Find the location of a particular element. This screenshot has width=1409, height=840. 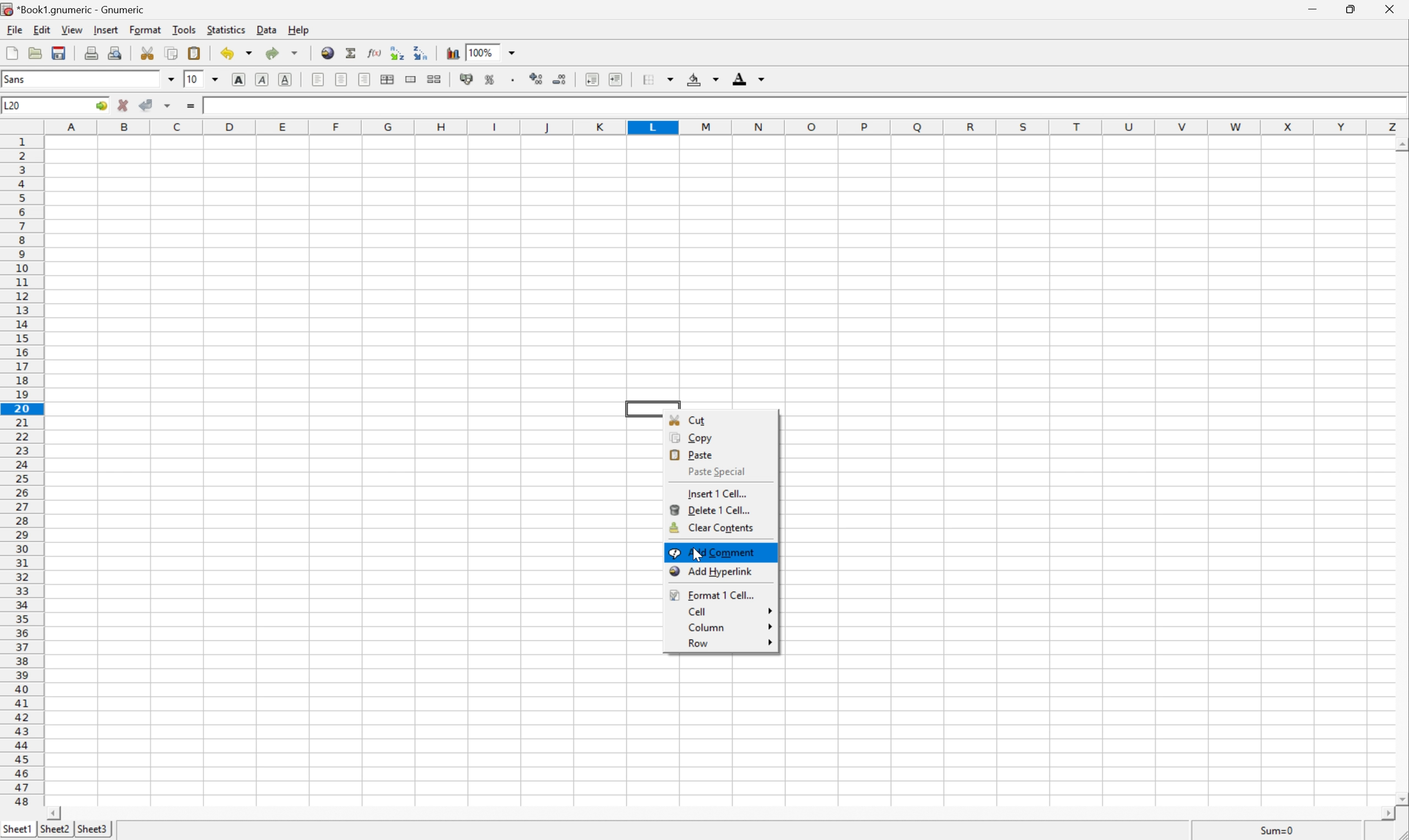

Print current file is located at coordinates (92, 53).